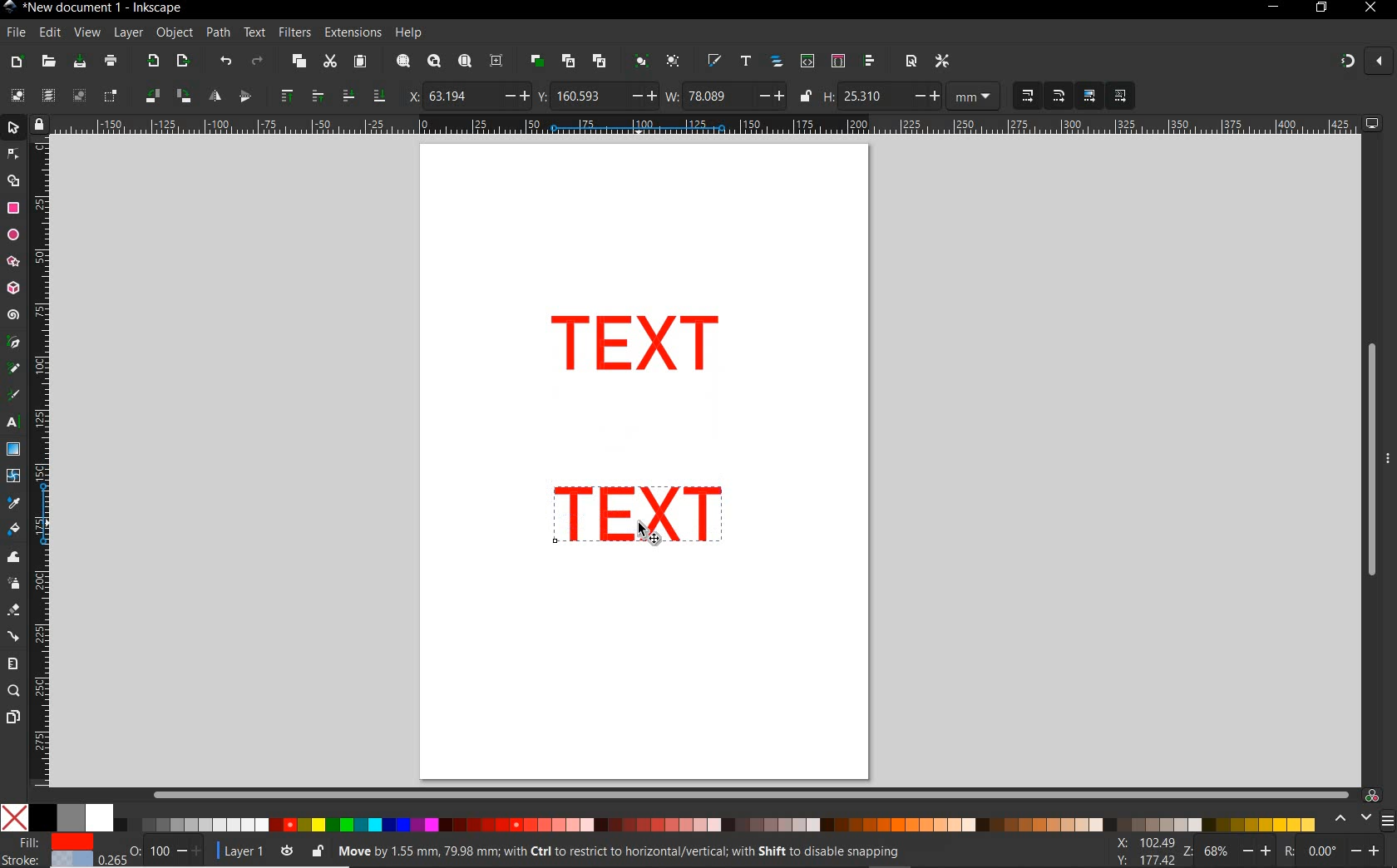 This screenshot has width=1397, height=868. What do you see at coordinates (1143, 850) in the screenshot?
I see `cursor coordintes` at bounding box center [1143, 850].